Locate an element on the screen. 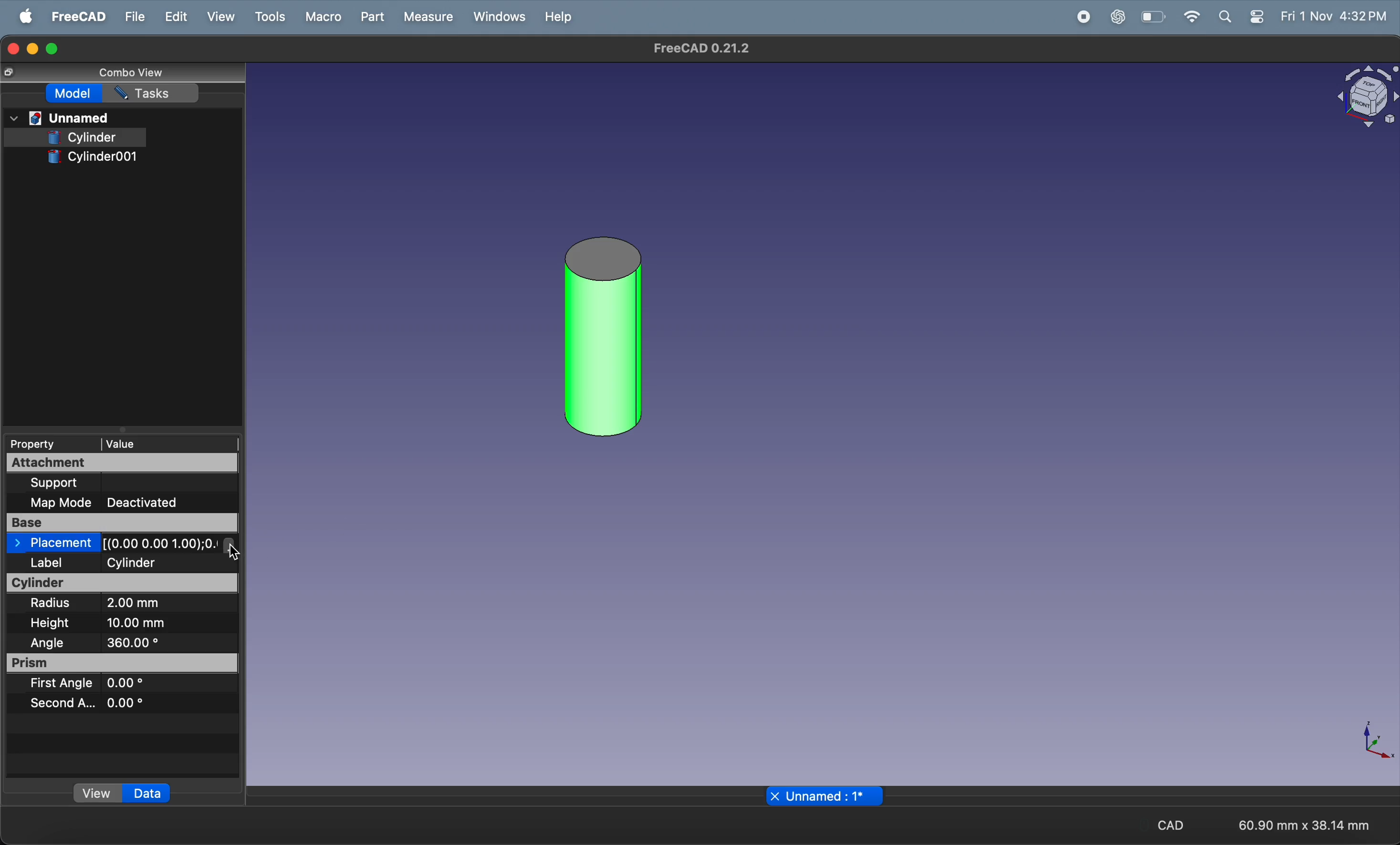 The width and height of the screenshot is (1400, 845). property is located at coordinates (43, 444).